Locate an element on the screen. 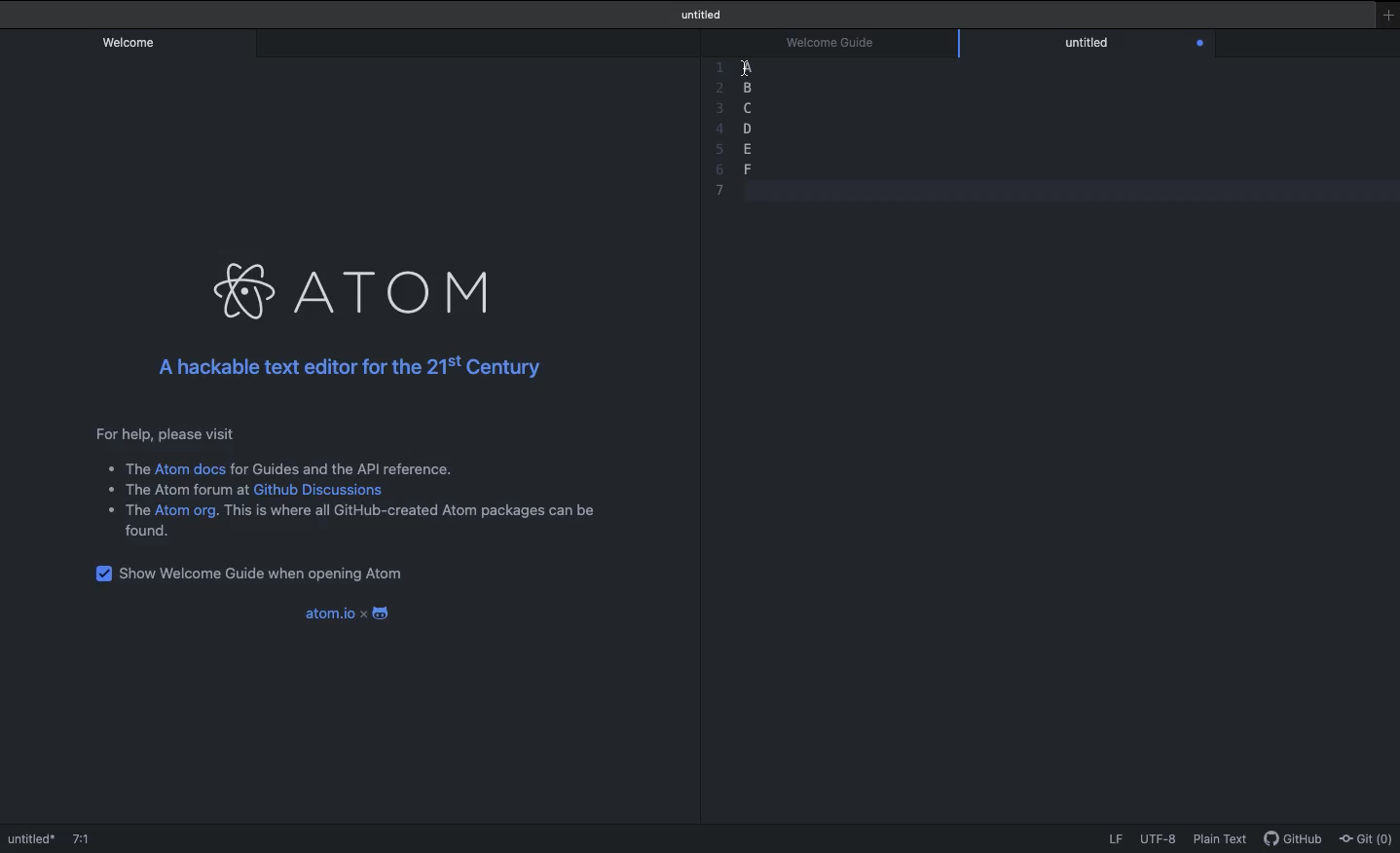 The image size is (1400, 853). Welcome guide is located at coordinates (55, 838).